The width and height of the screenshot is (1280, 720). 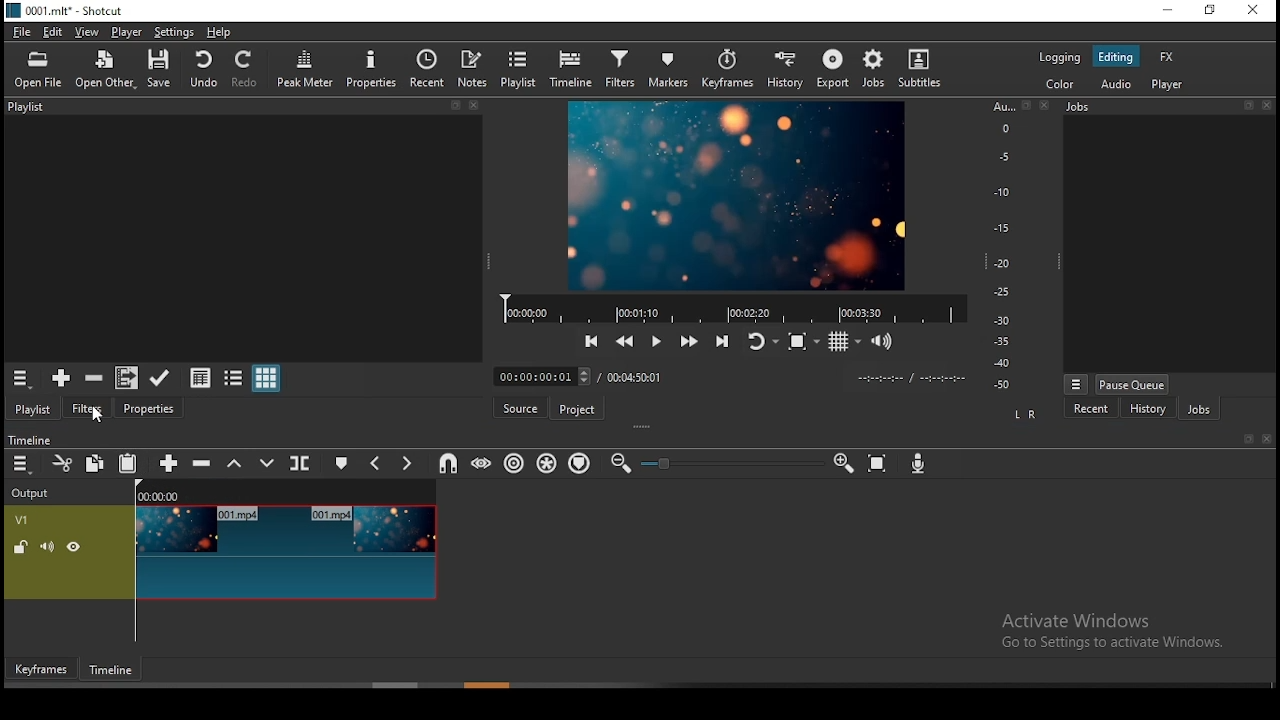 What do you see at coordinates (237, 465) in the screenshot?
I see `lift` at bounding box center [237, 465].